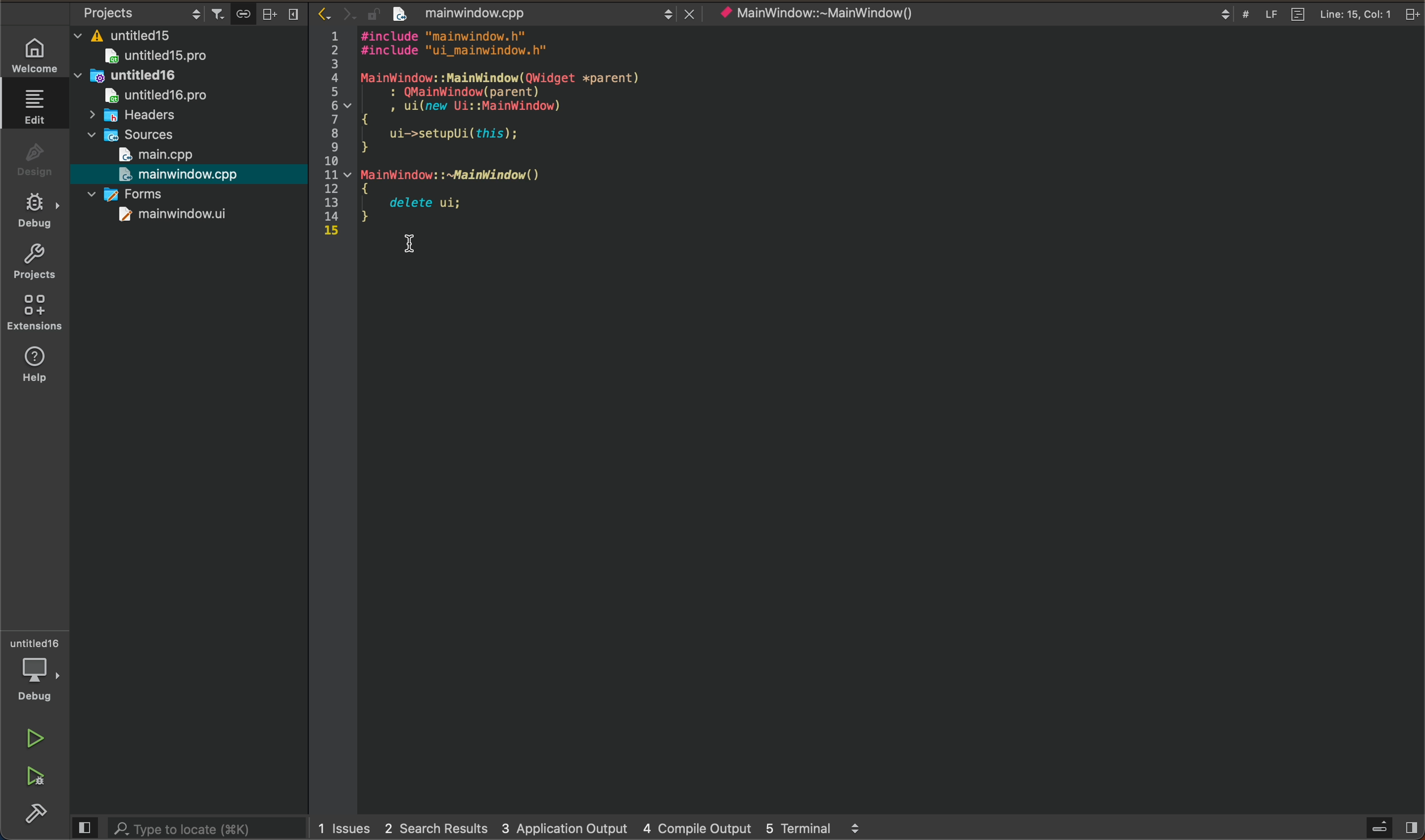 This screenshot has height=840, width=1425. What do you see at coordinates (691, 13) in the screenshot?
I see `close` at bounding box center [691, 13].